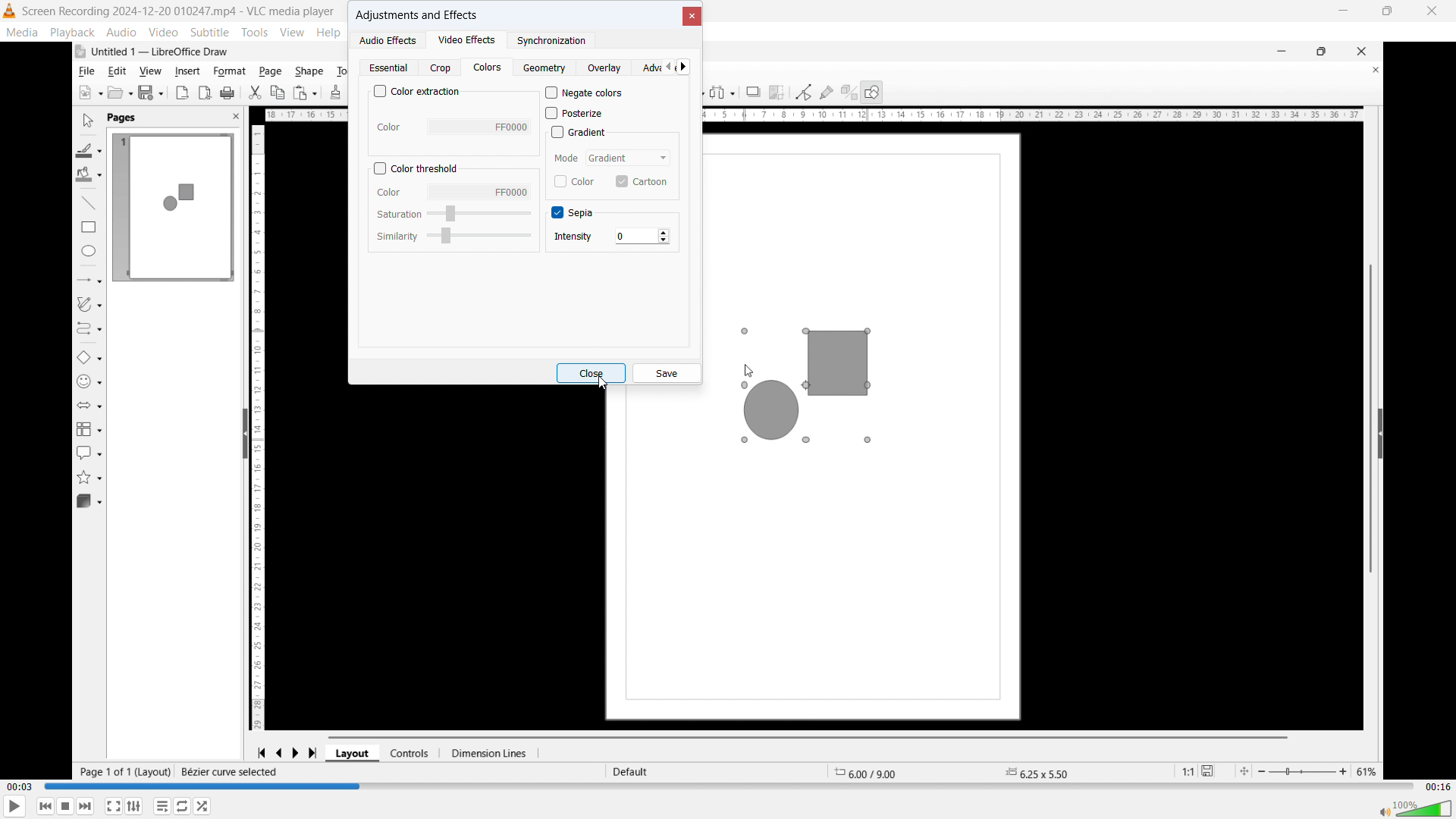 The image size is (1456, 819). I want to click on Select colour , so click(481, 191).